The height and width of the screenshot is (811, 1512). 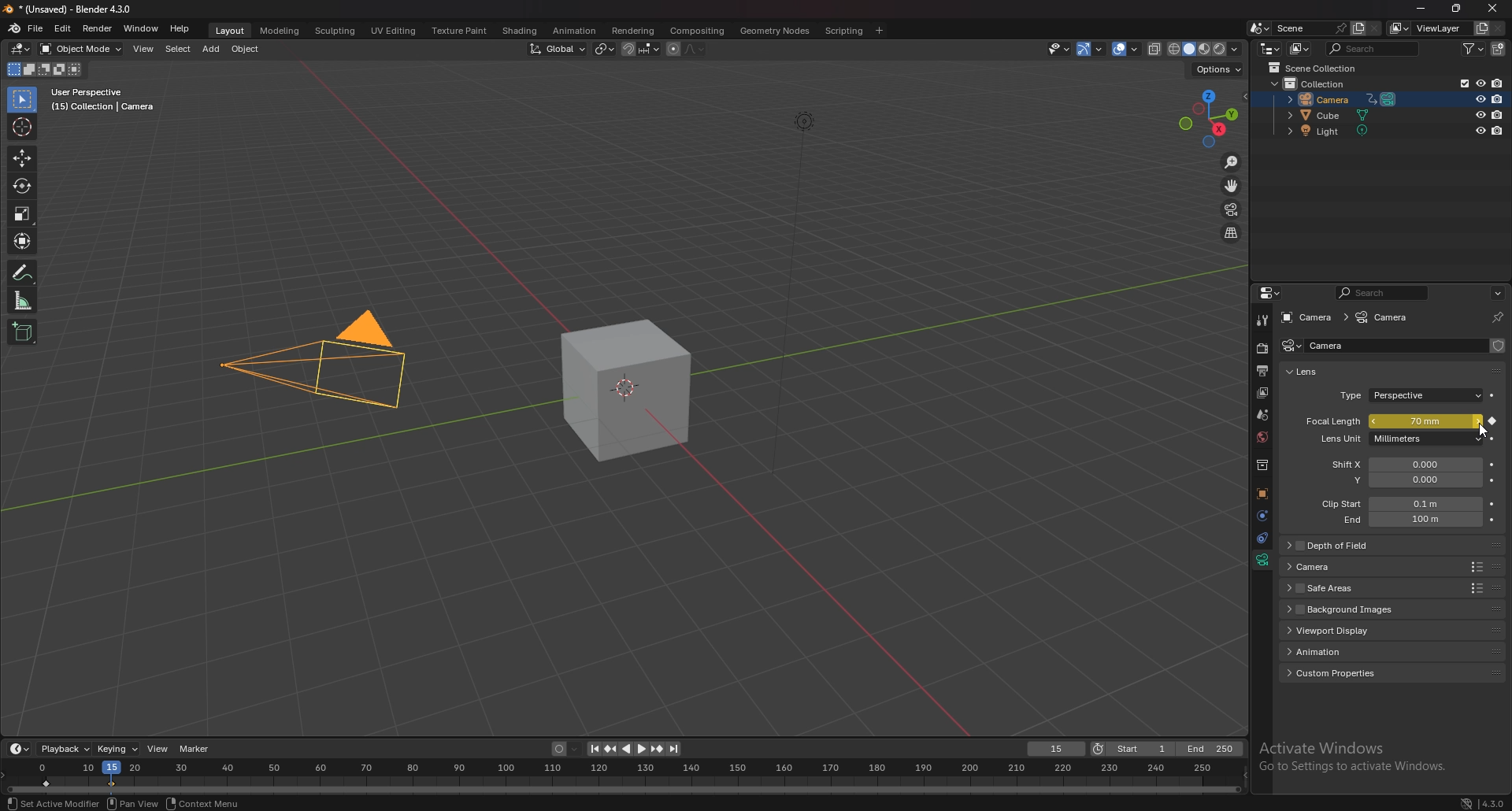 What do you see at coordinates (670, 49) in the screenshot?
I see `proportional editing objects` at bounding box center [670, 49].